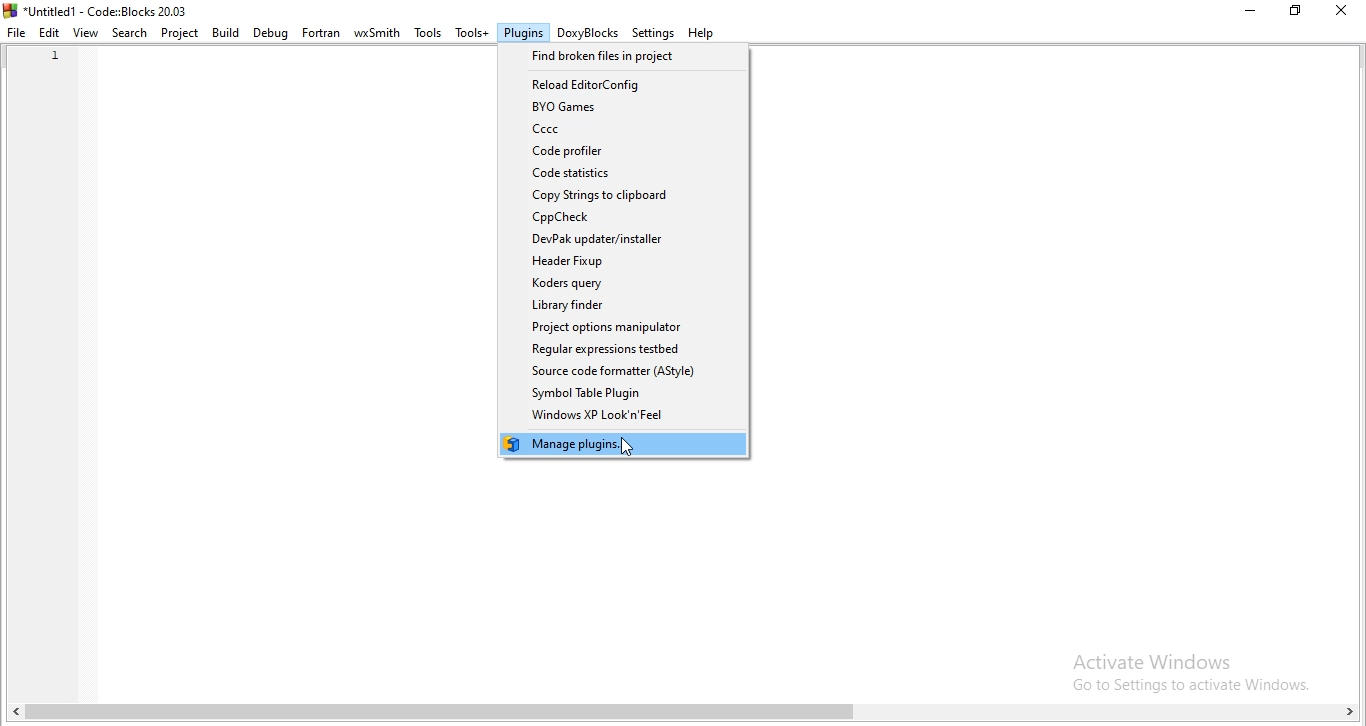  Describe the element at coordinates (227, 32) in the screenshot. I see `Bulid` at that location.